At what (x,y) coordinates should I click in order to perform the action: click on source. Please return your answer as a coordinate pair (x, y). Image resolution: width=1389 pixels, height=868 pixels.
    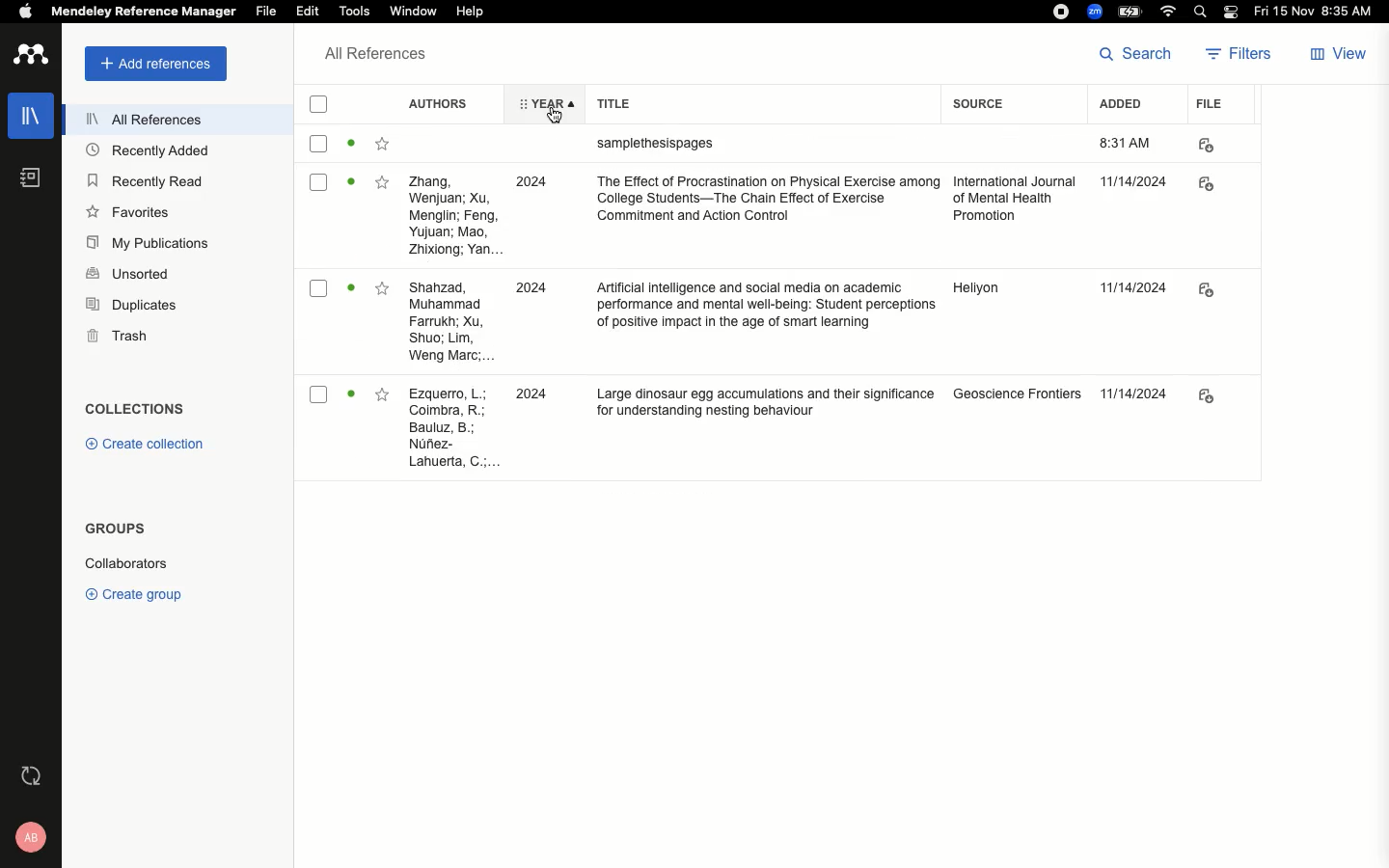
    Looking at the image, I should click on (1014, 297).